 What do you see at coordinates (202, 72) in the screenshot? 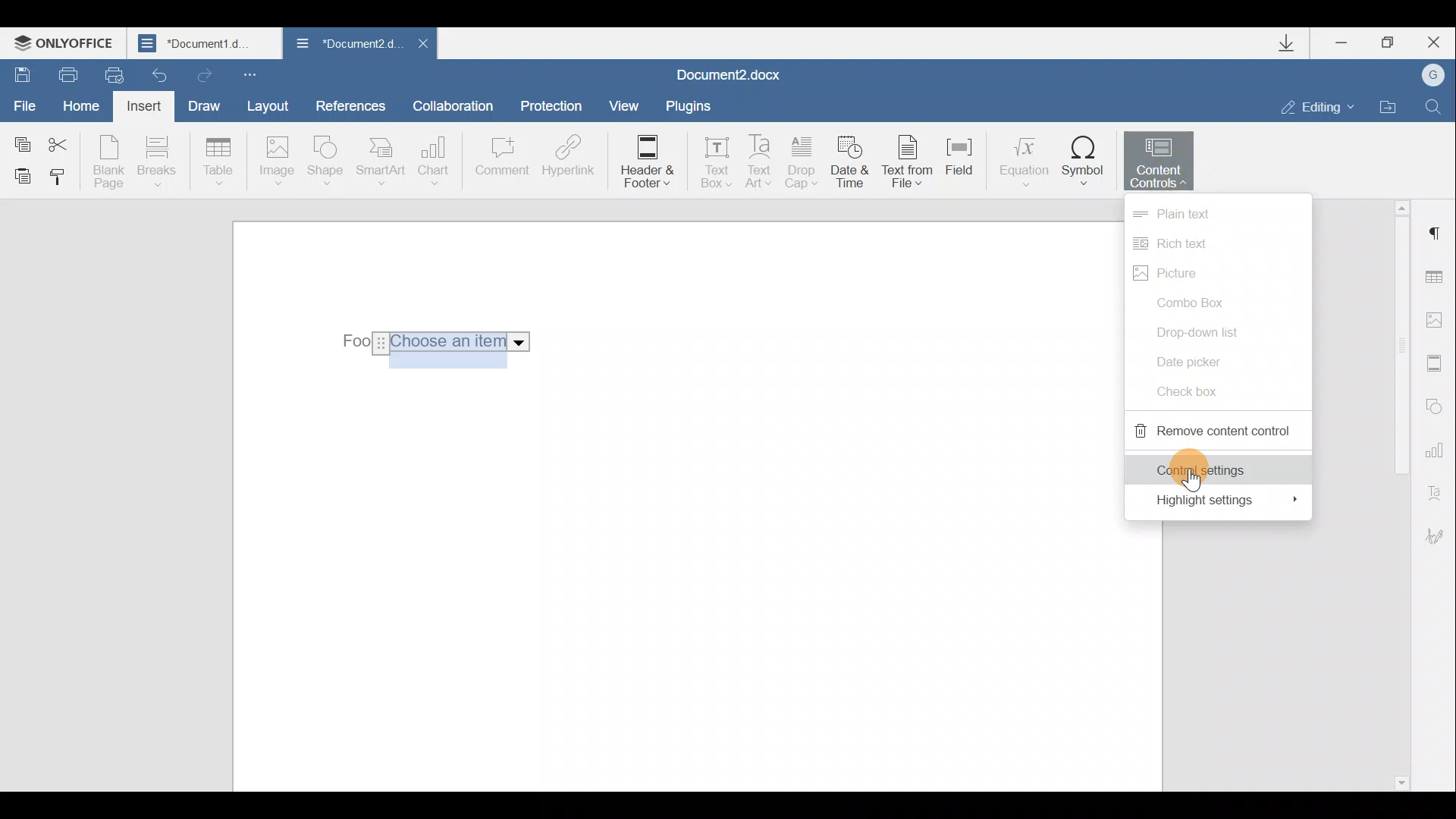
I see `Redo` at bounding box center [202, 72].